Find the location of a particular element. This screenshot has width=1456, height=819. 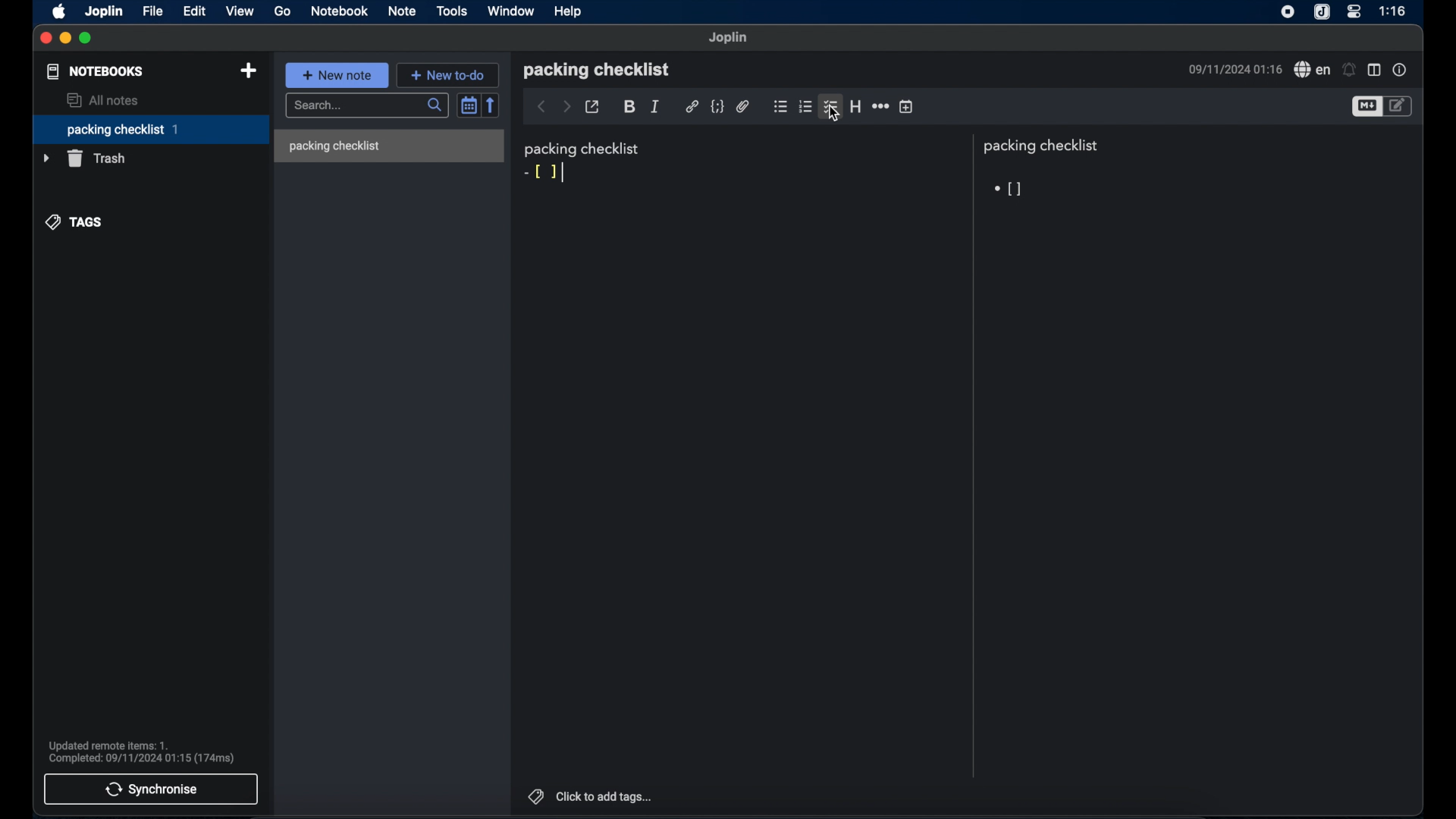

italic is located at coordinates (654, 105).